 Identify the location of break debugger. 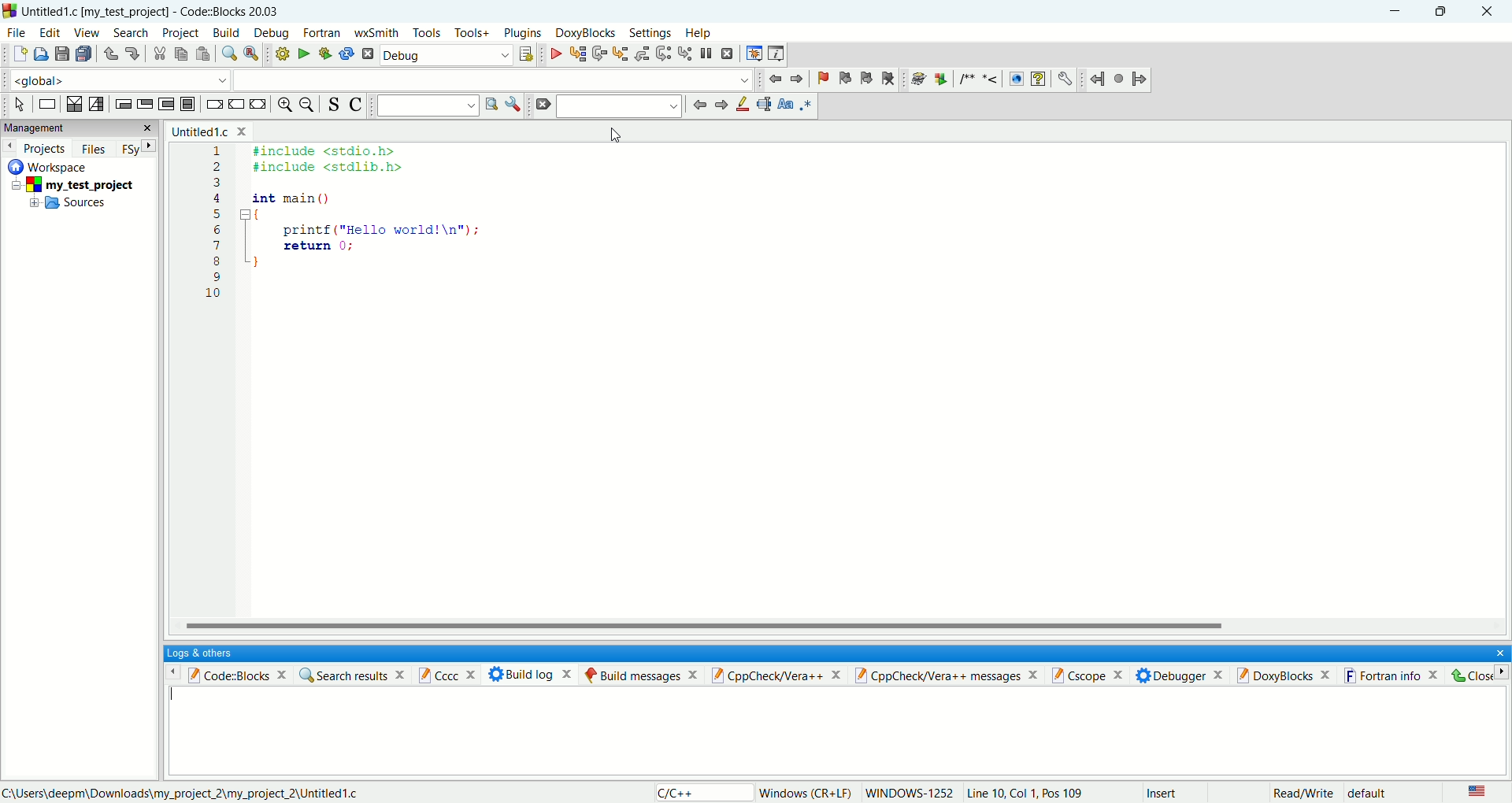
(710, 54).